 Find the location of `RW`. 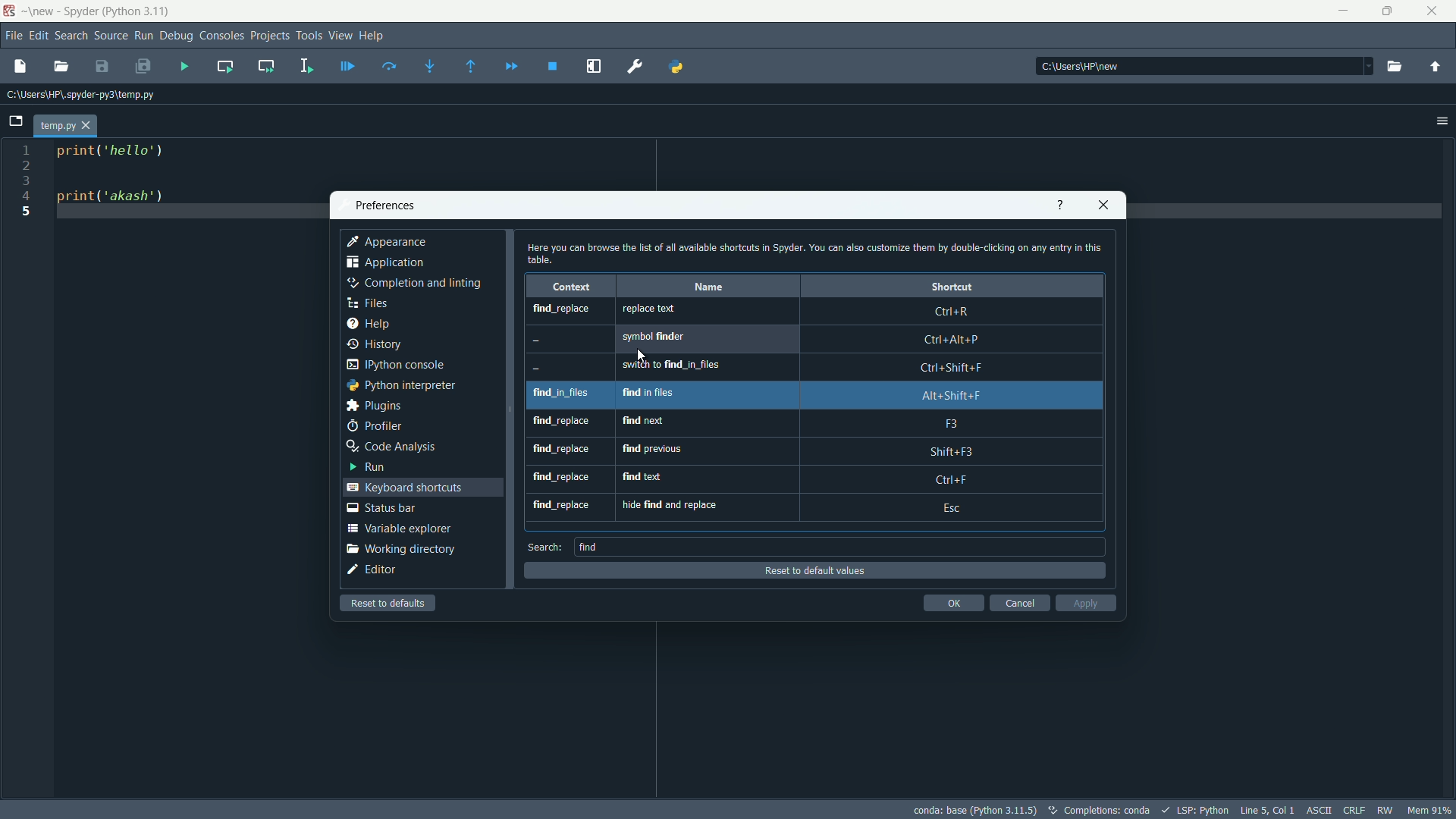

RW is located at coordinates (1386, 810).